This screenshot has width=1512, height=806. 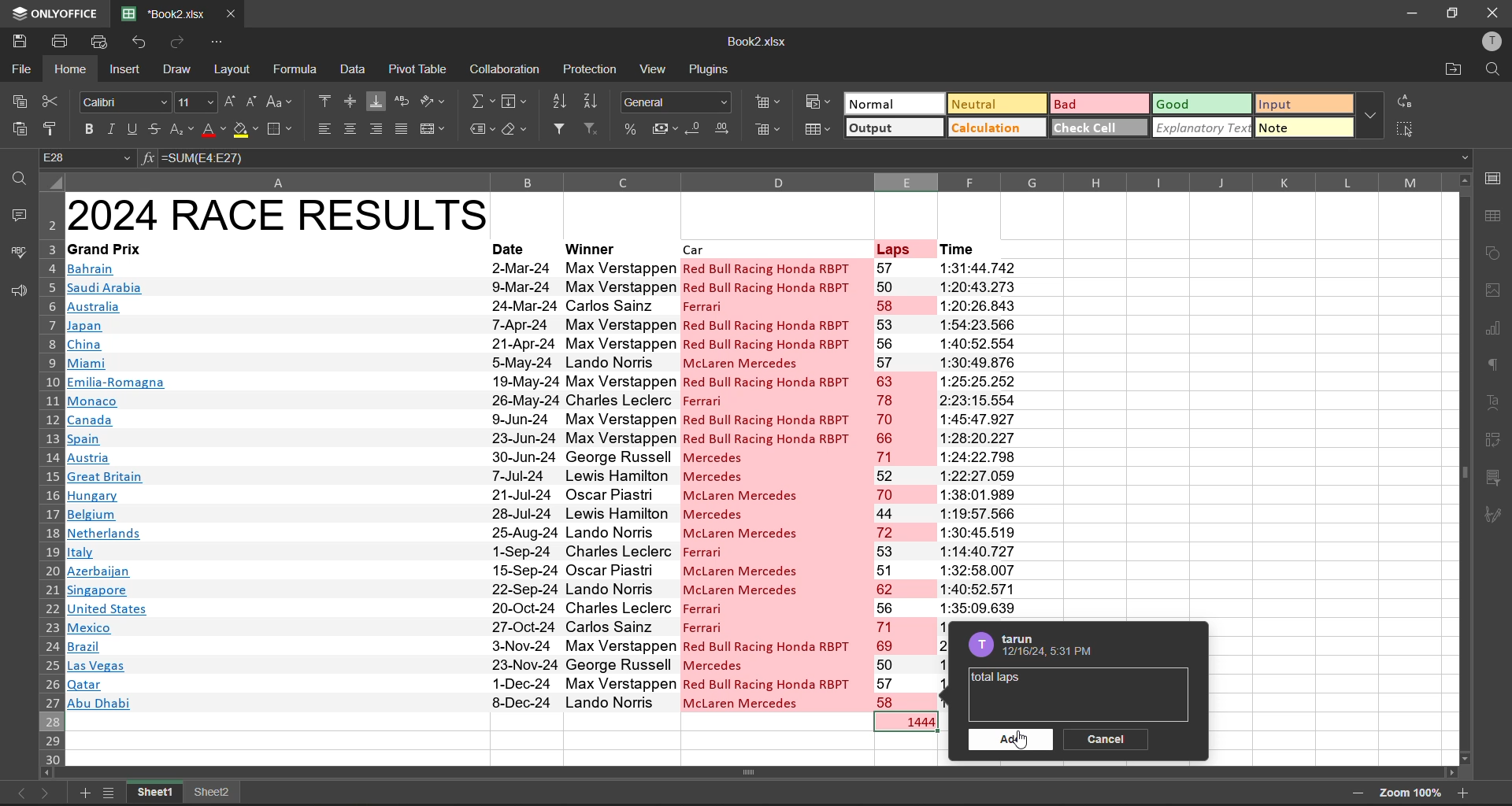 I want to click on replace, so click(x=1410, y=102).